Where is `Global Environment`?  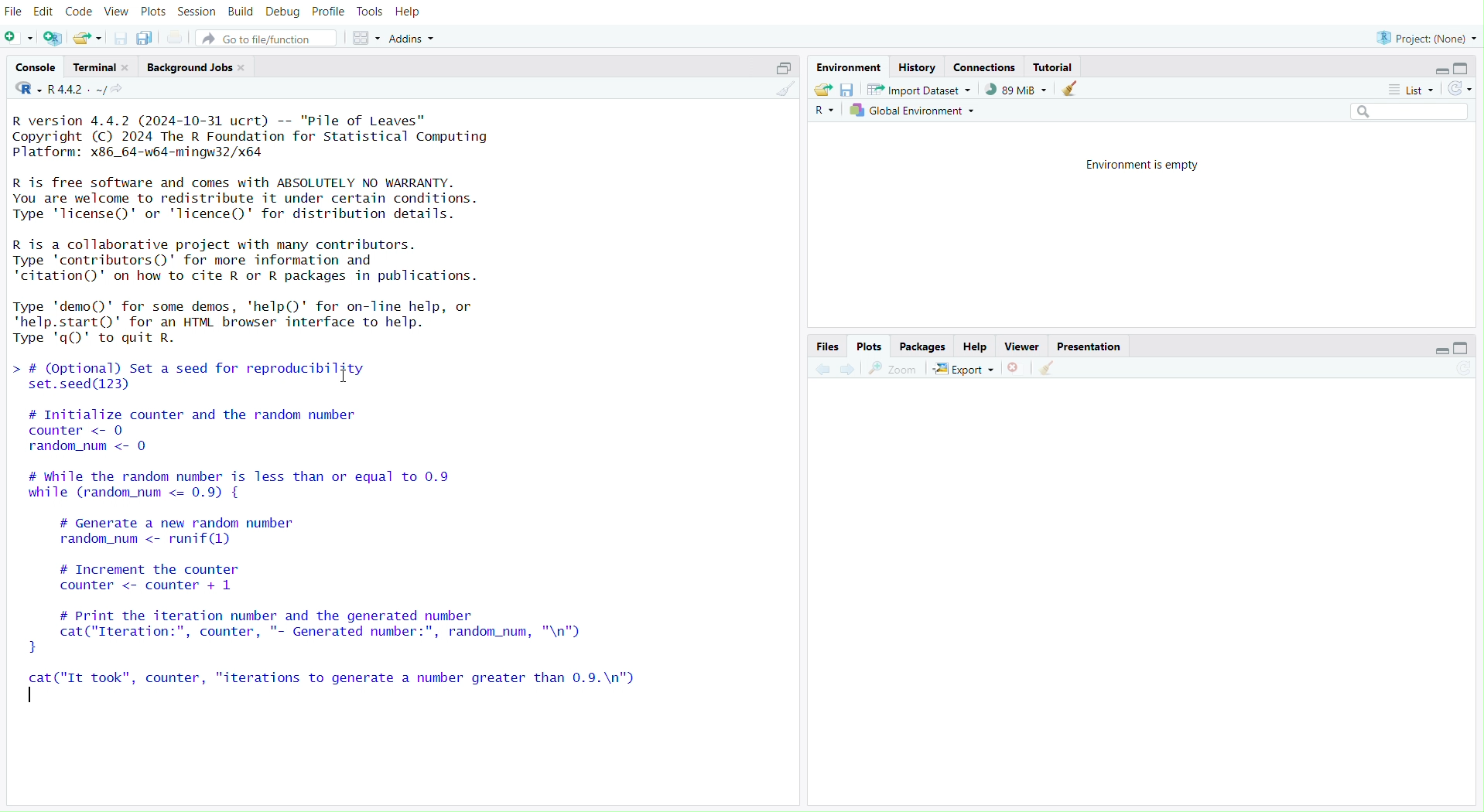 Global Environment is located at coordinates (915, 111).